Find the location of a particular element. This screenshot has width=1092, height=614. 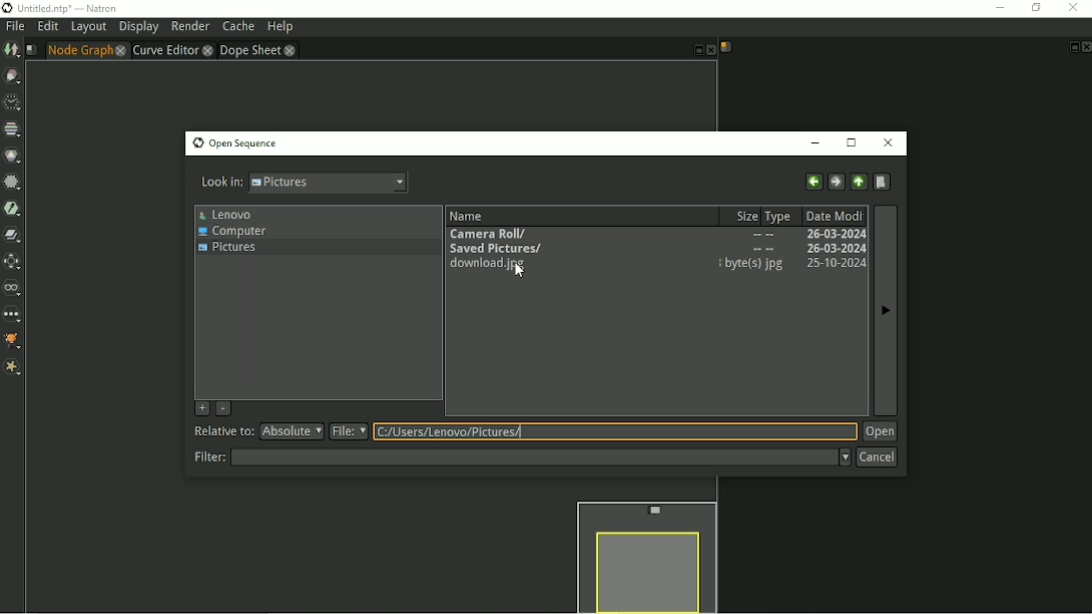

Transform is located at coordinates (13, 261).